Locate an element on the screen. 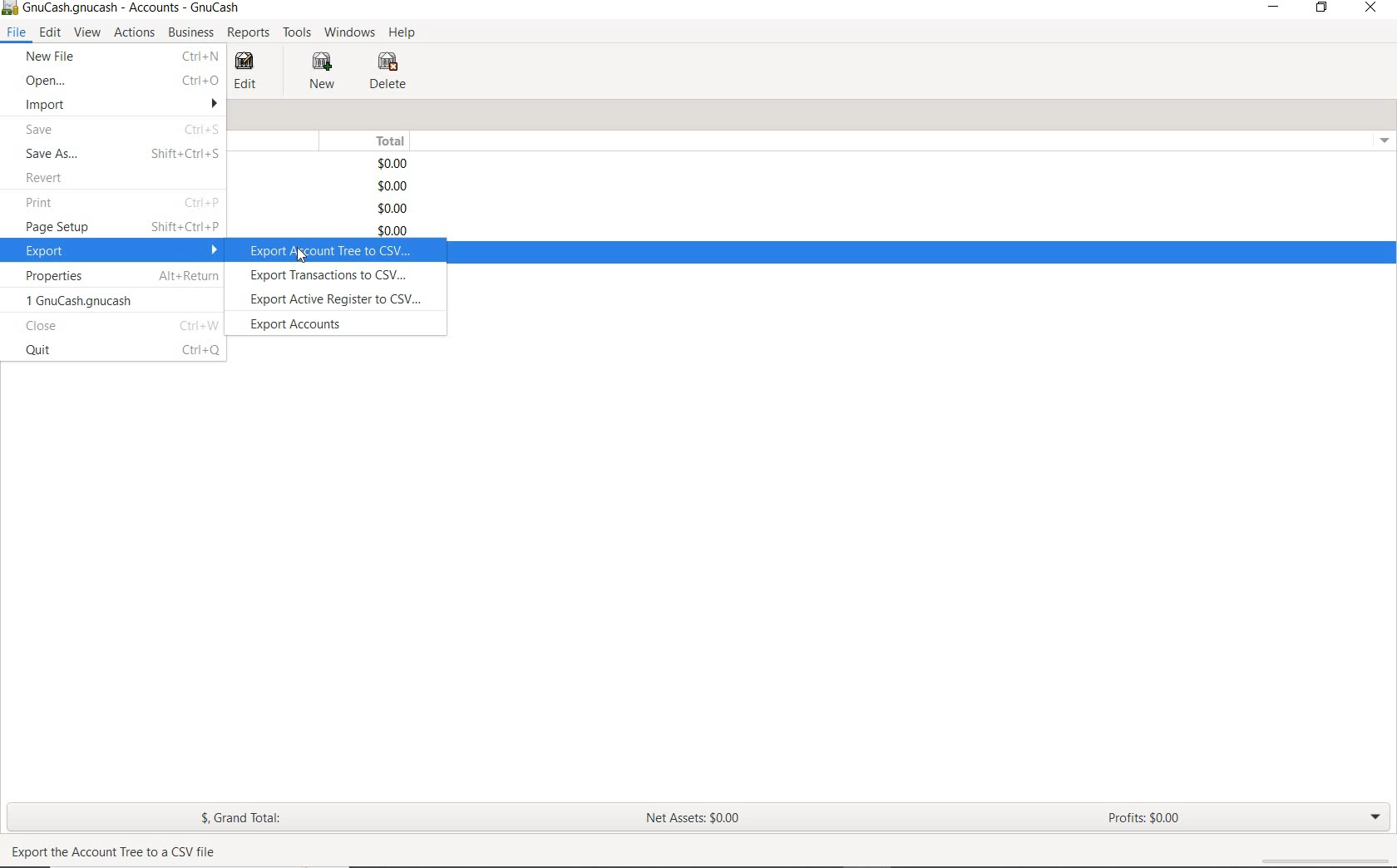  PROPERTIES is located at coordinates (52, 274).